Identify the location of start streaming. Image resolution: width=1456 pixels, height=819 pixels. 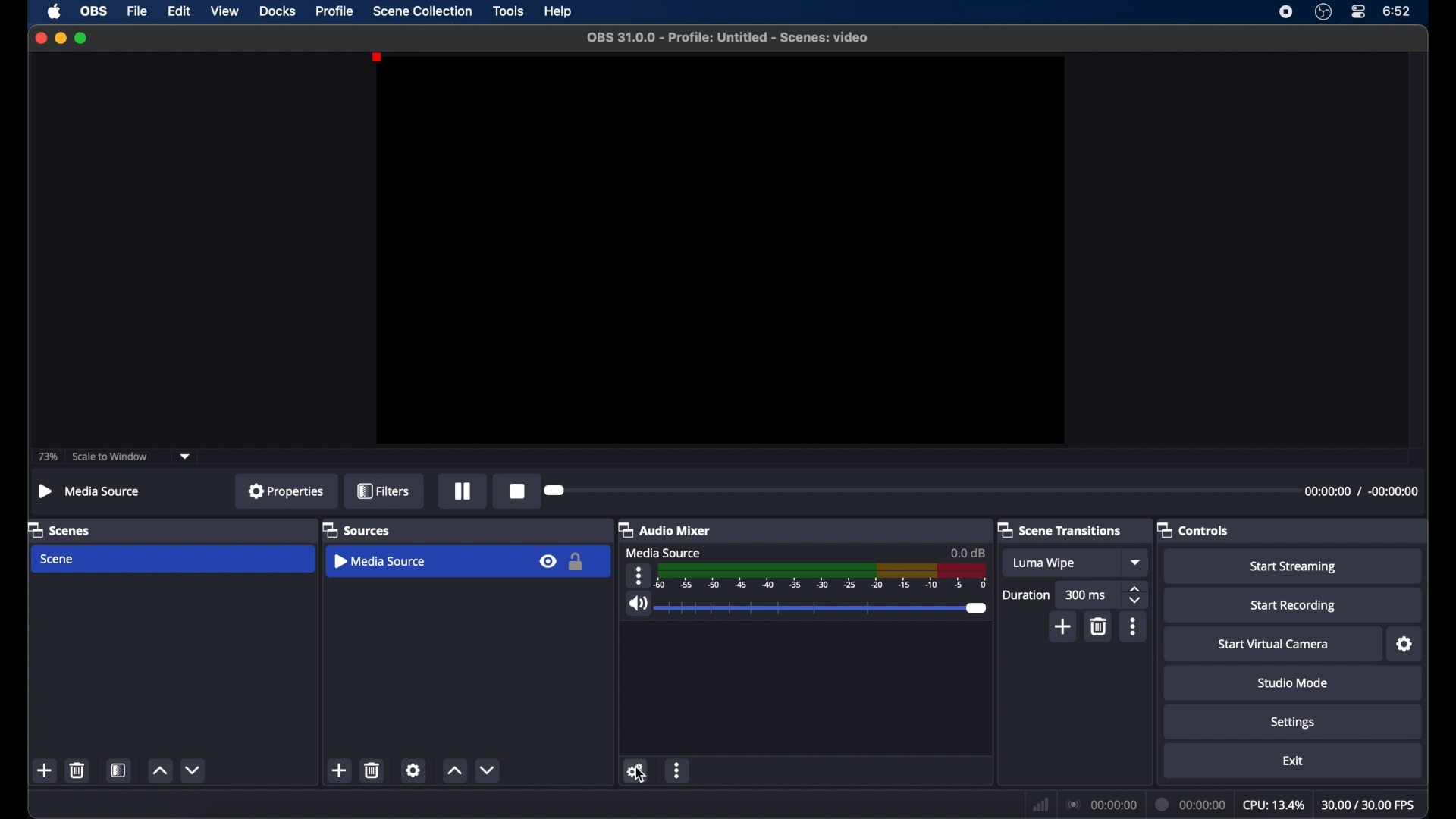
(1294, 567).